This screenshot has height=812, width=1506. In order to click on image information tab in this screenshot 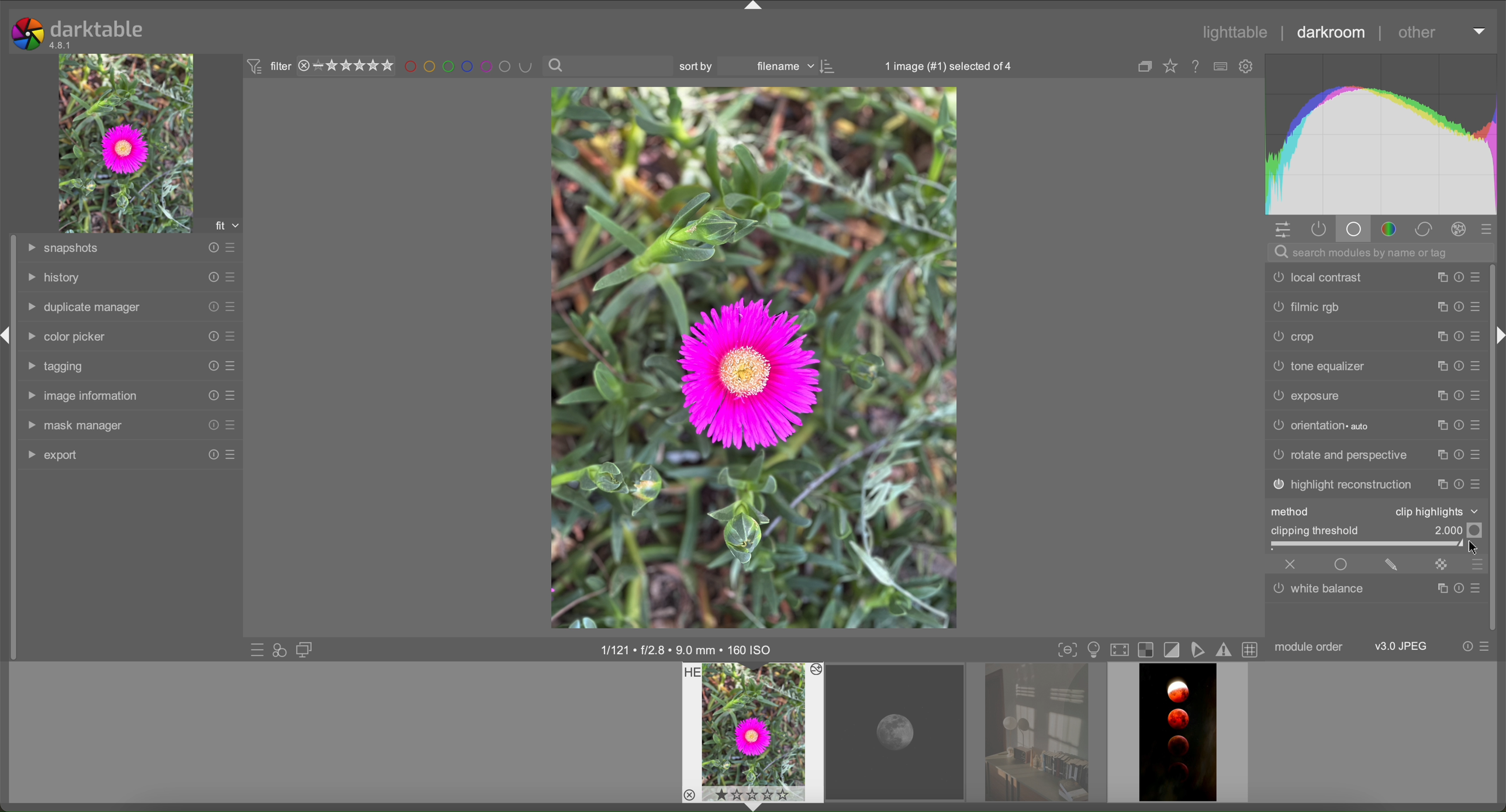, I will do `click(81, 396)`.